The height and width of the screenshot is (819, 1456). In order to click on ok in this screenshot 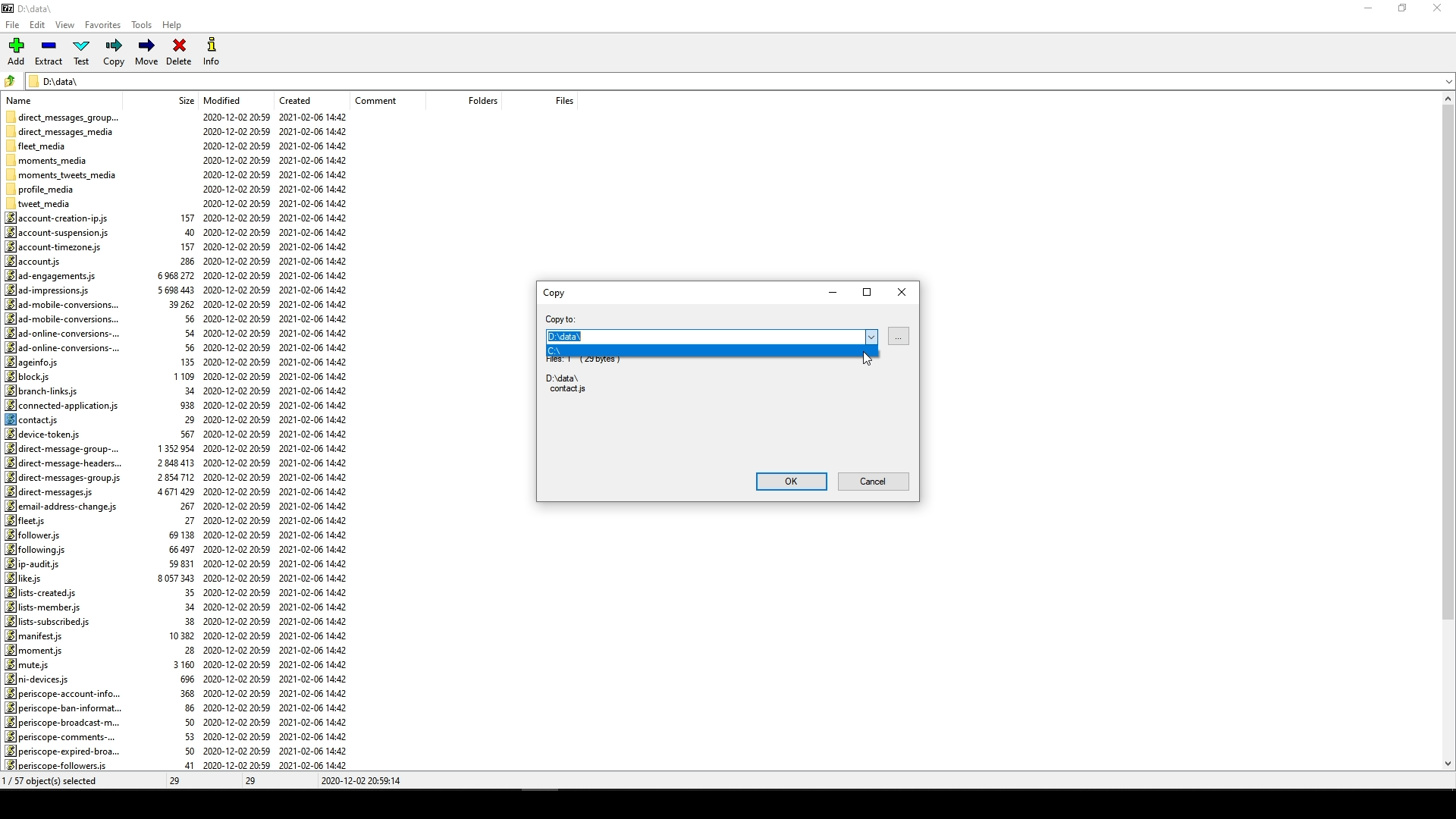, I will do `click(787, 480)`.